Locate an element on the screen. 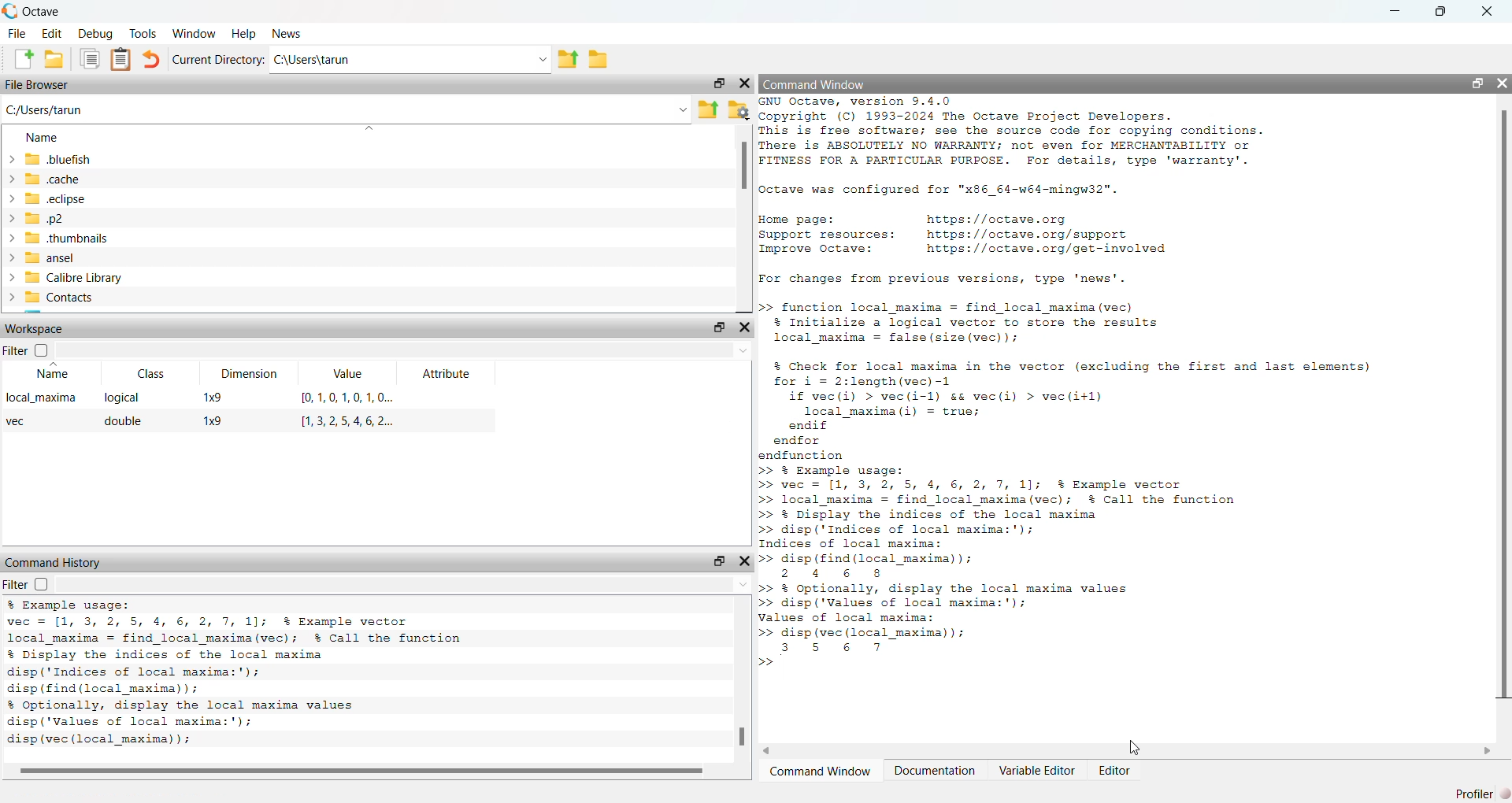  Enter directory name is located at coordinates (543, 57).